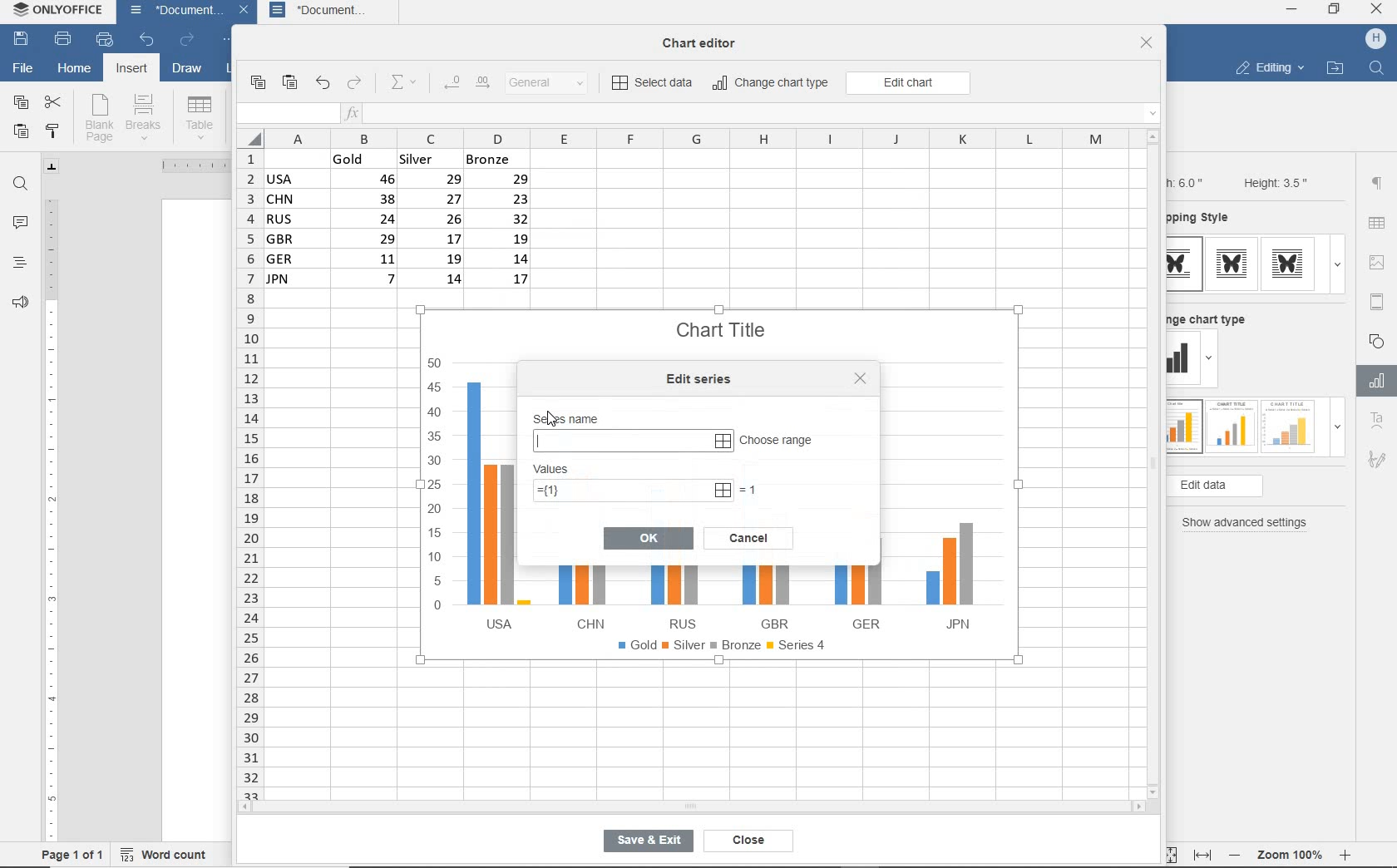 The height and width of the screenshot is (868, 1397). What do you see at coordinates (1188, 181) in the screenshot?
I see `Width: 6.0"` at bounding box center [1188, 181].